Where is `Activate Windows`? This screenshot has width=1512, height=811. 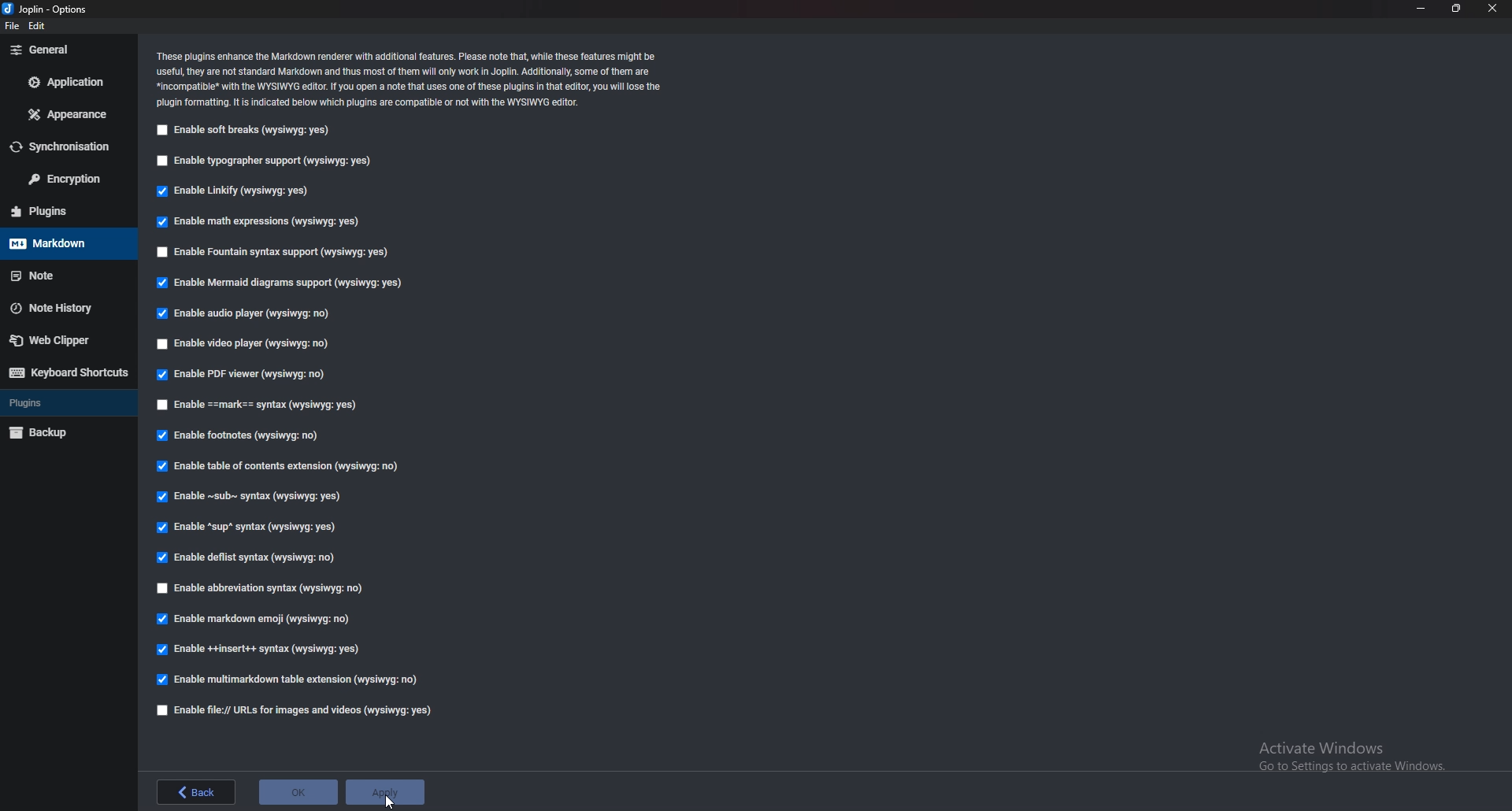
Activate Windows is located at coordinates (1325, 746).